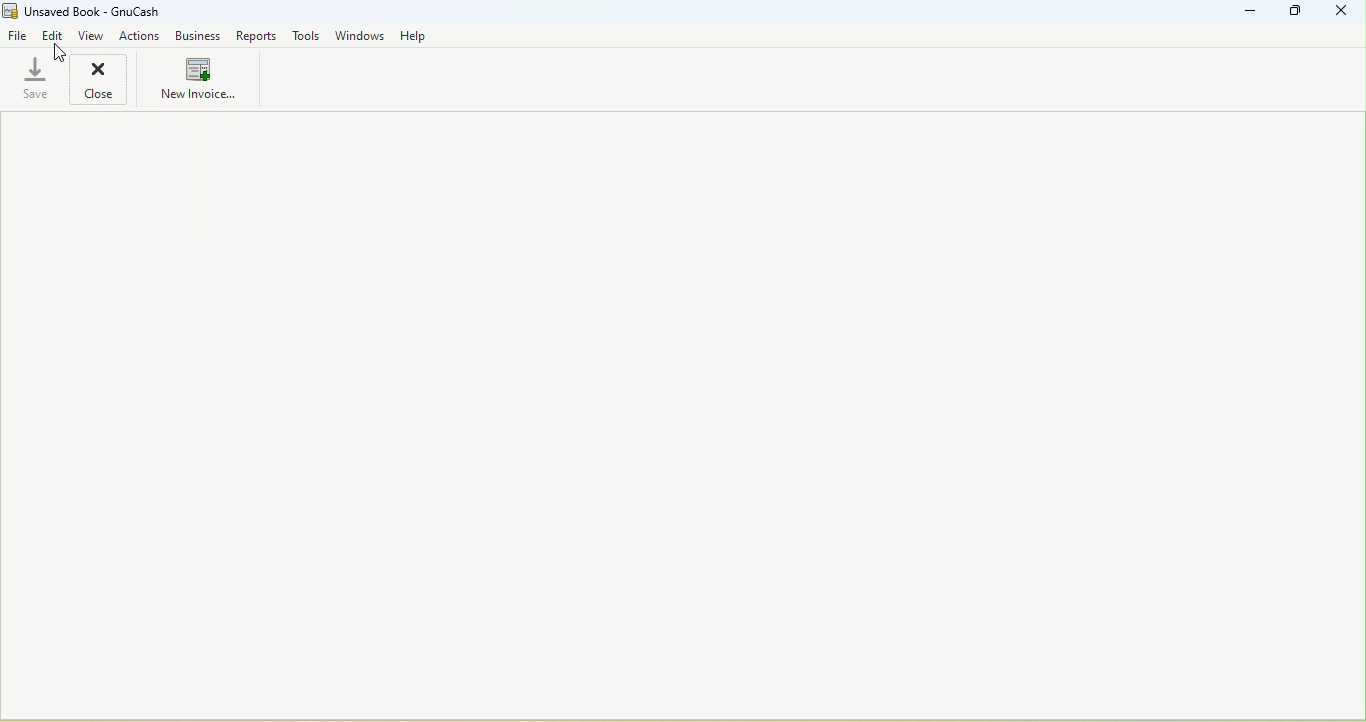 This screenshot has height=722, width=1366. Describe the element at coordinates (60, 53) in the screenshot. I see `cursor` at that location.